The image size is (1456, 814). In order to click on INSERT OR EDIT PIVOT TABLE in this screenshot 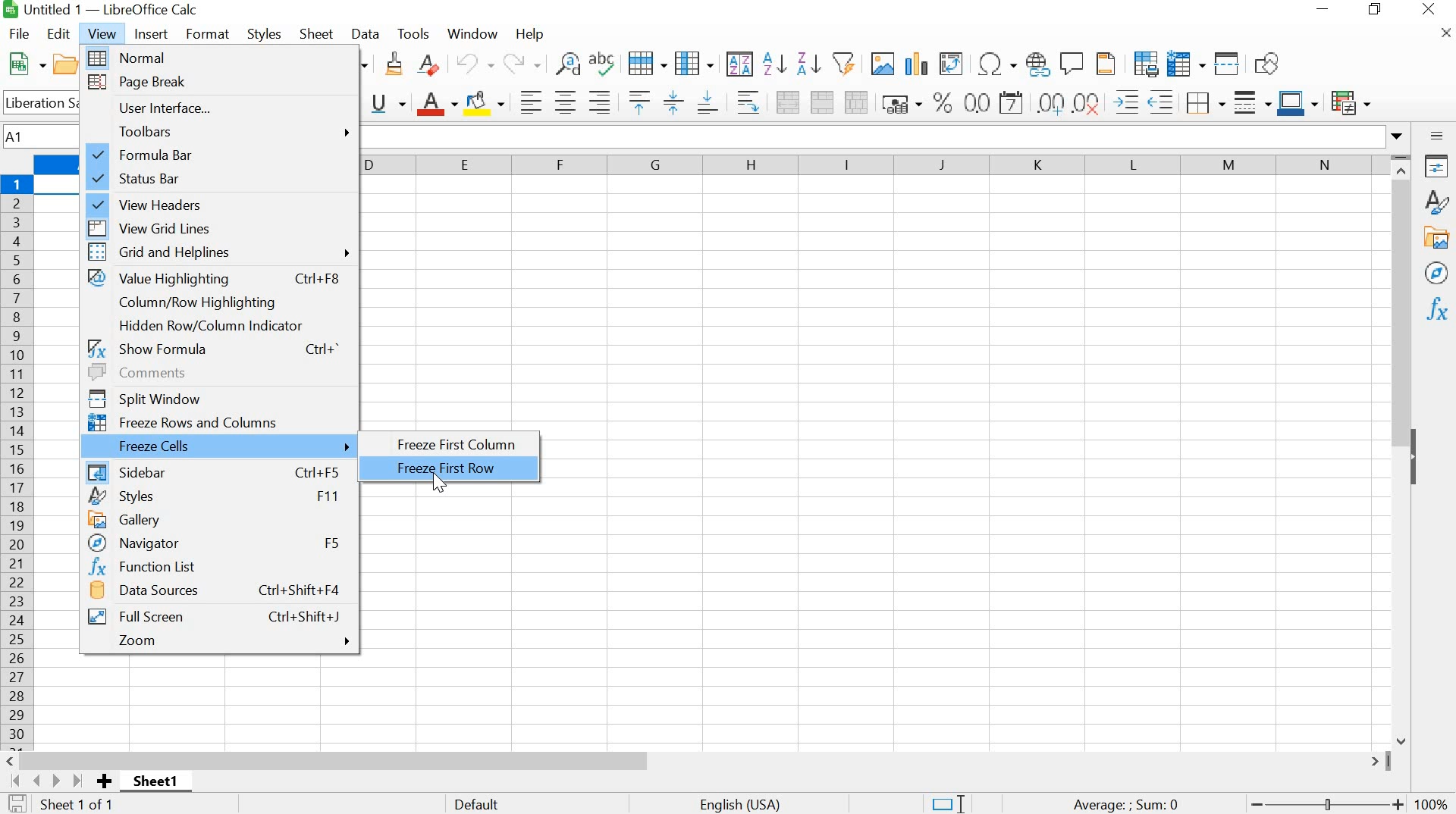, I will do `click(951, 64)`.